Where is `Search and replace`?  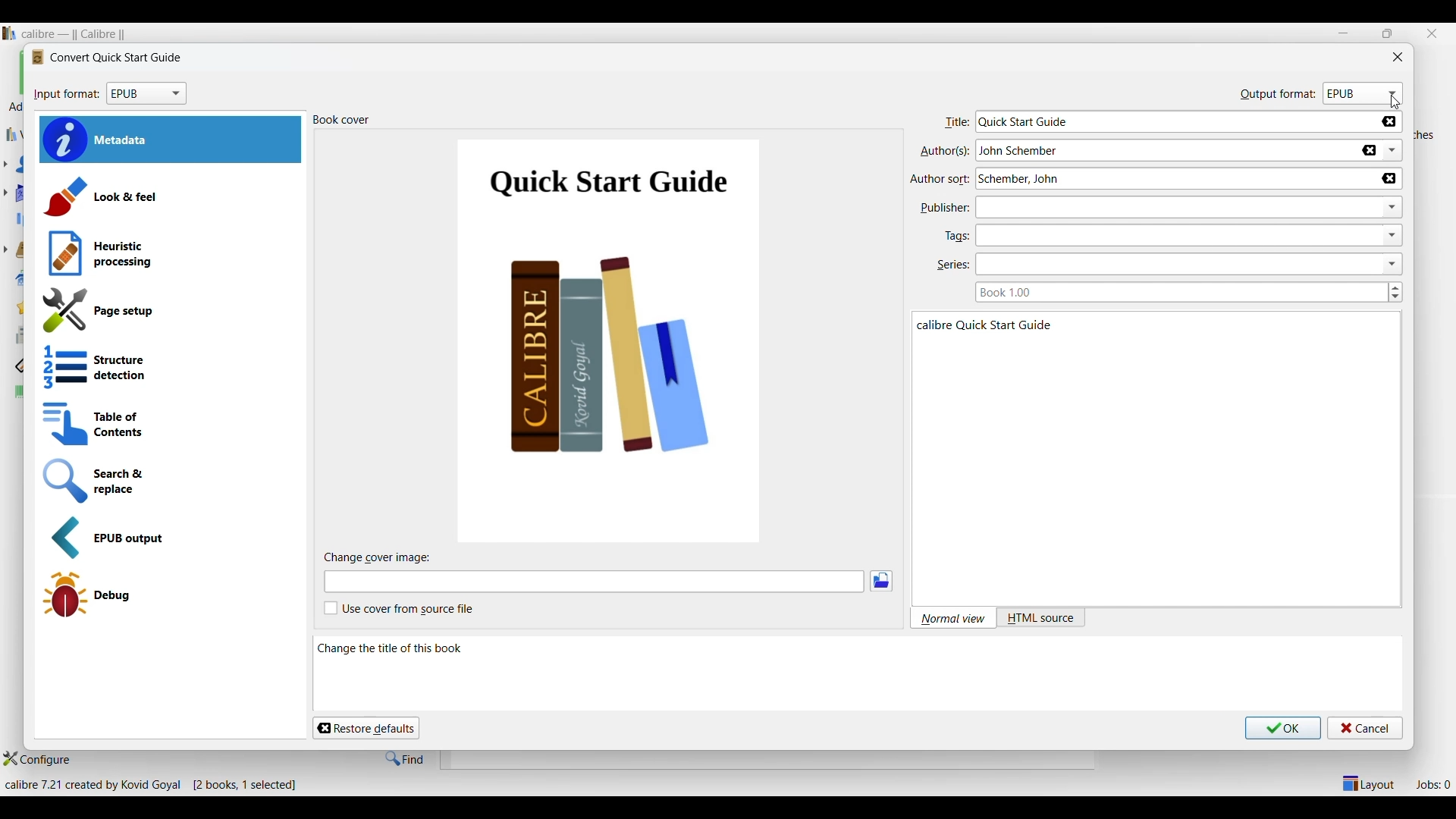 Search and replace is located at coordinates (169, 481).